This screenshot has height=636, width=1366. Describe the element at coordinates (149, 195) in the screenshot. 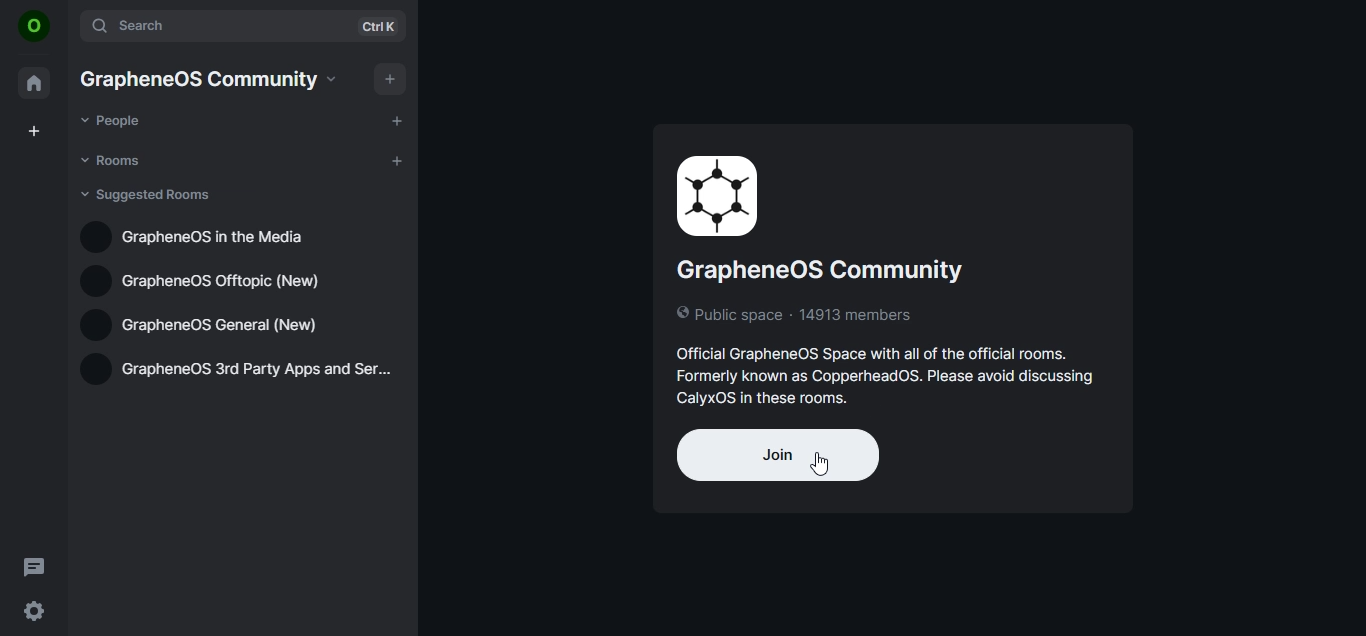

I see `suggested rooms` at that location.